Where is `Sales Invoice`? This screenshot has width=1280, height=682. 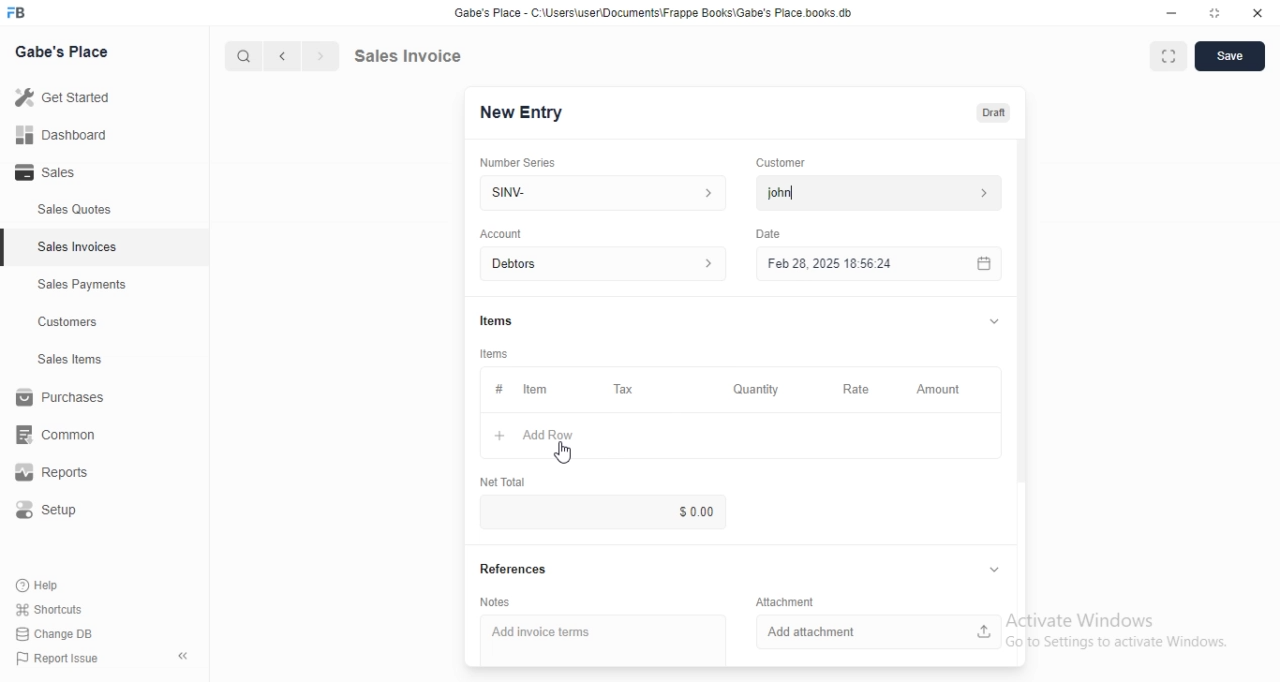 Sales Invoice is located at coordinates (419, 55).